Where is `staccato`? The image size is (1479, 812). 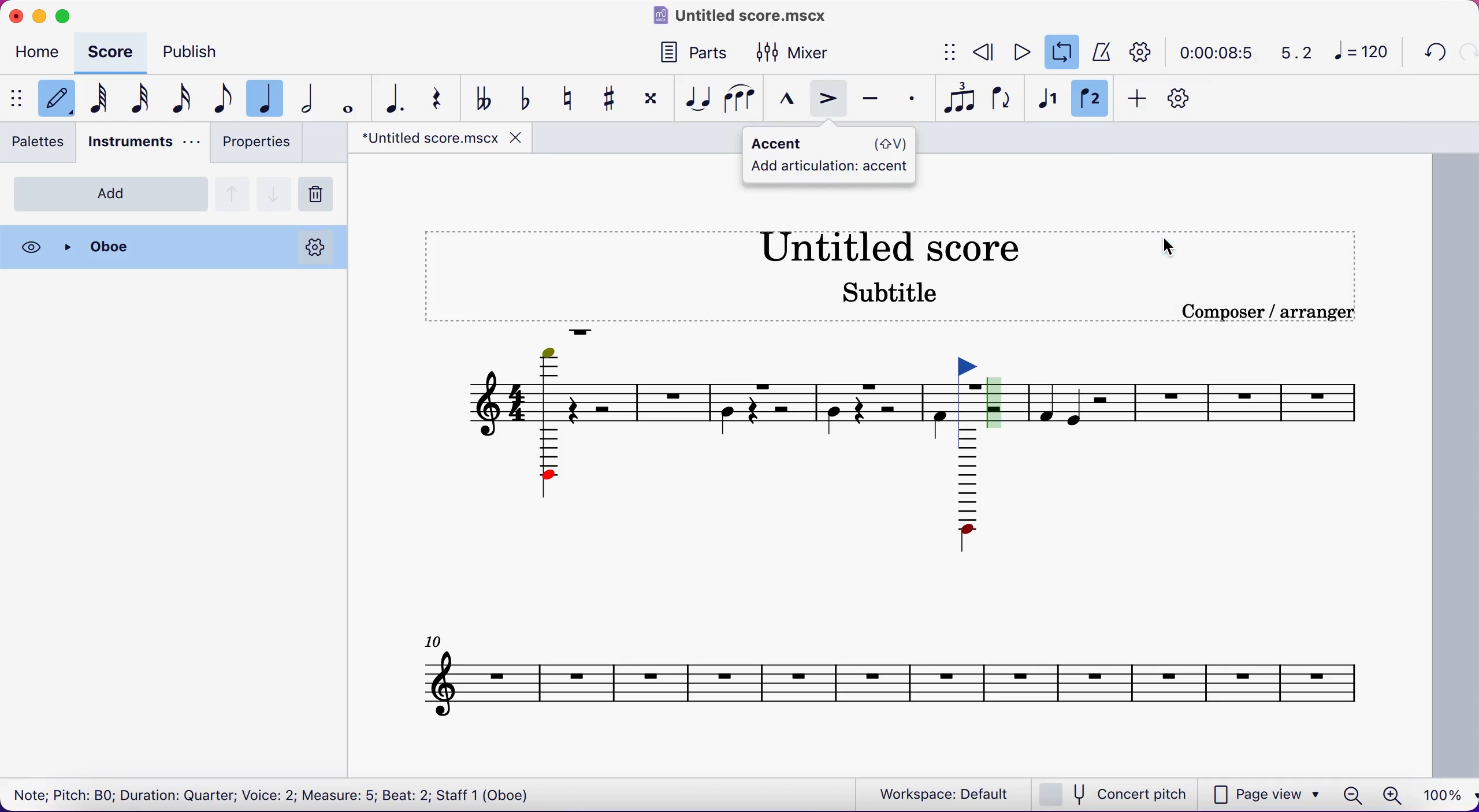
staccato is located at coordinates (915, 99).